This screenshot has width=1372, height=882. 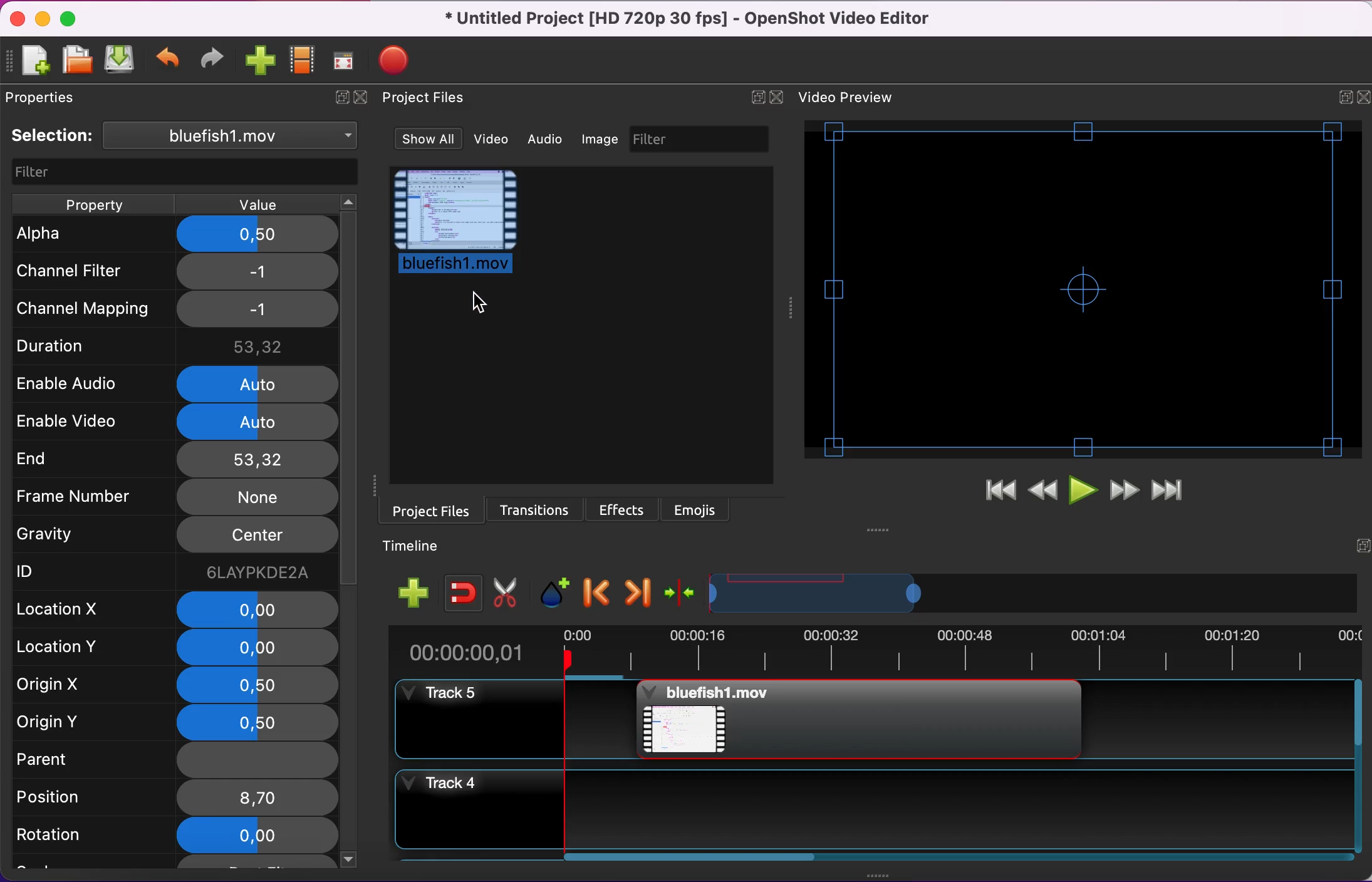 I want to click on audio, so click(x=551, y=140).